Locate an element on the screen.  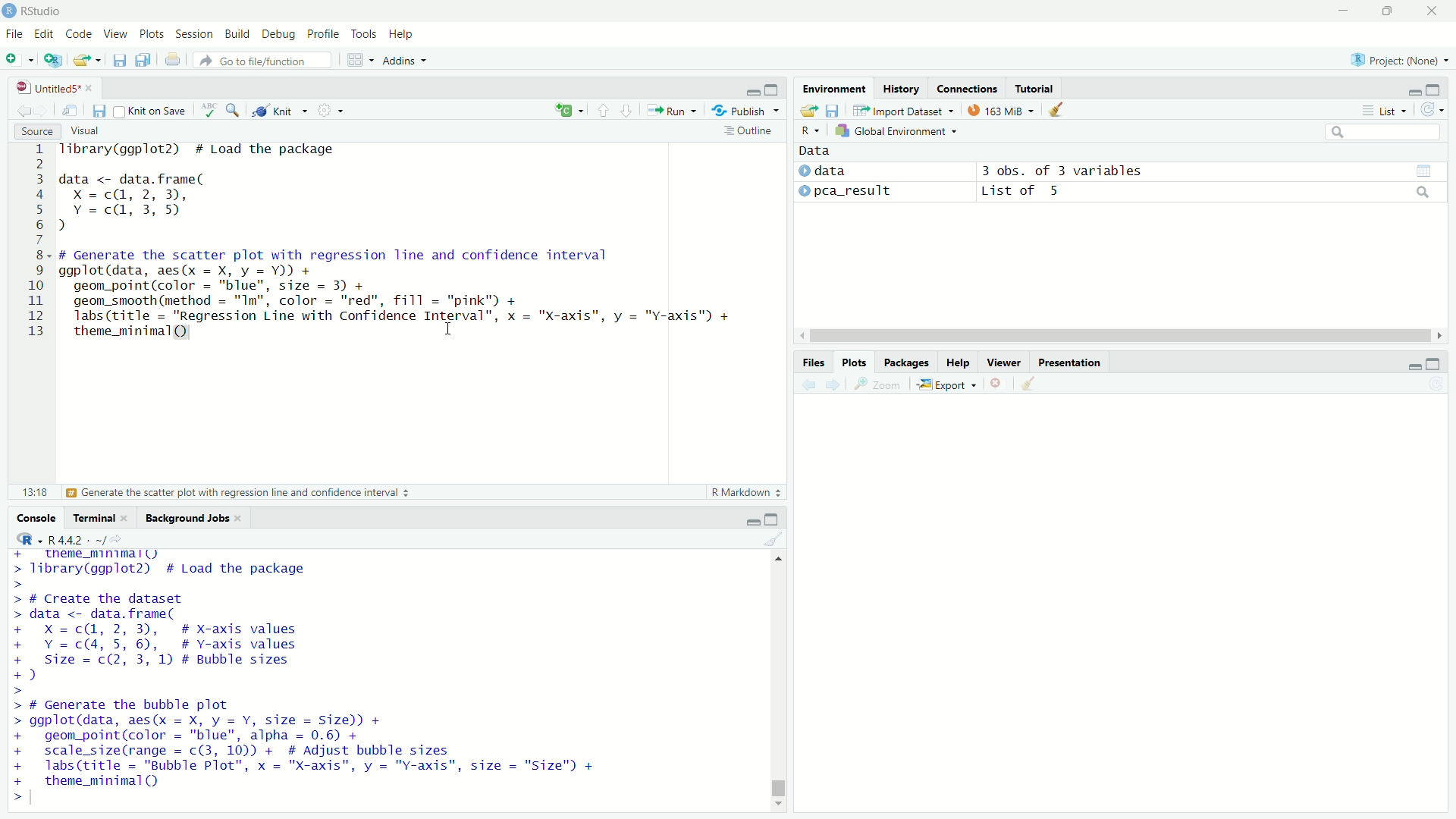
line numbers is located at coordinates (34, 242).